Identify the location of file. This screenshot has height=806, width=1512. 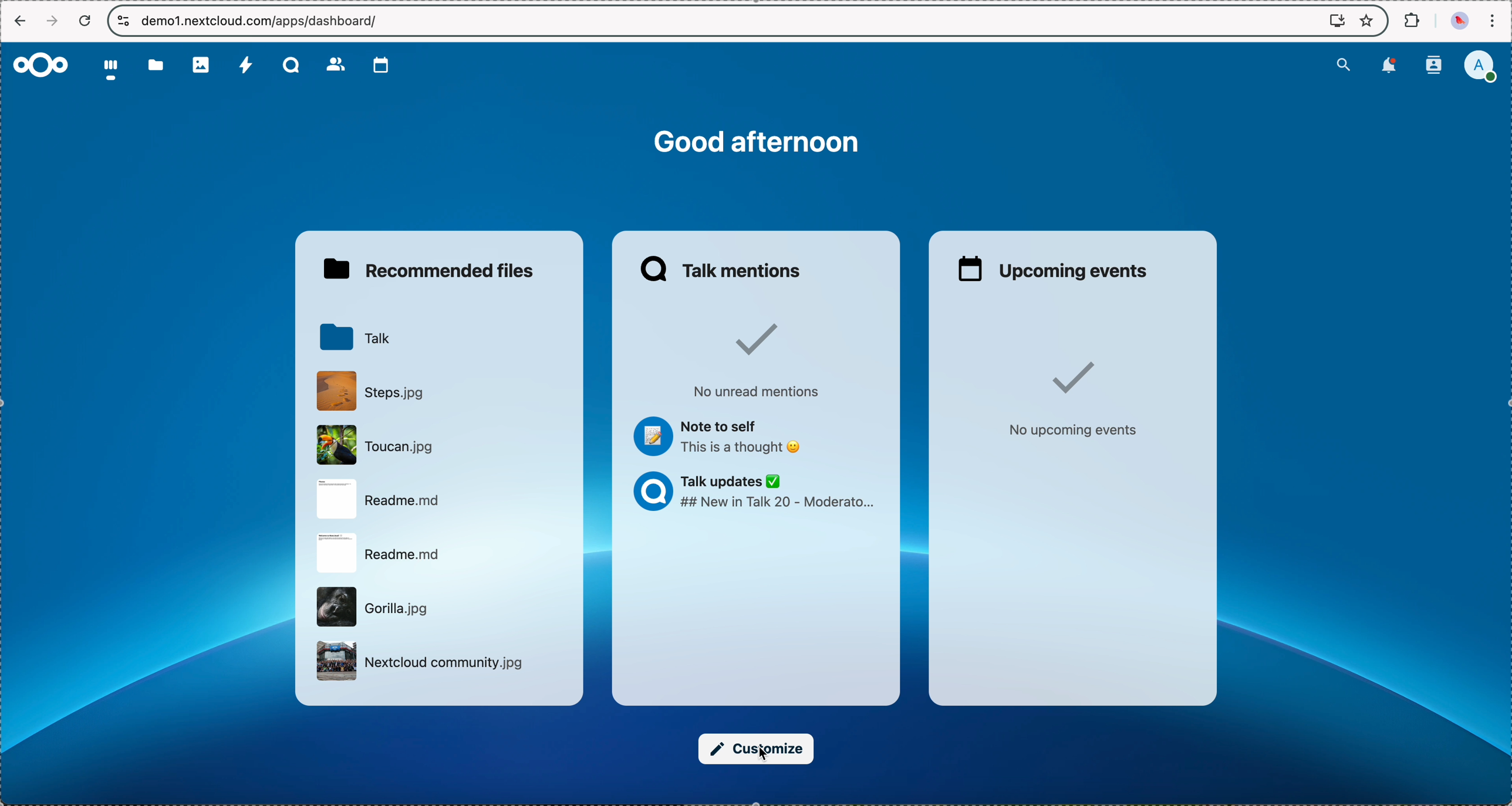
(379, 554).